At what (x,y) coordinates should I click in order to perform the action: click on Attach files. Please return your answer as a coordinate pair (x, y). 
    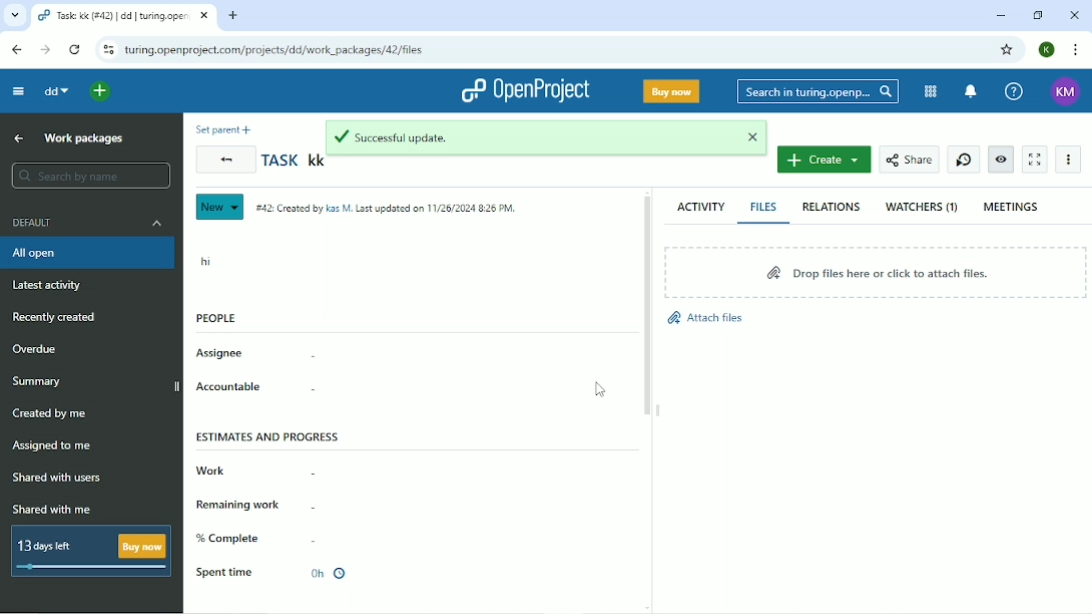
    Looking at the image, I should click on (709, 319).